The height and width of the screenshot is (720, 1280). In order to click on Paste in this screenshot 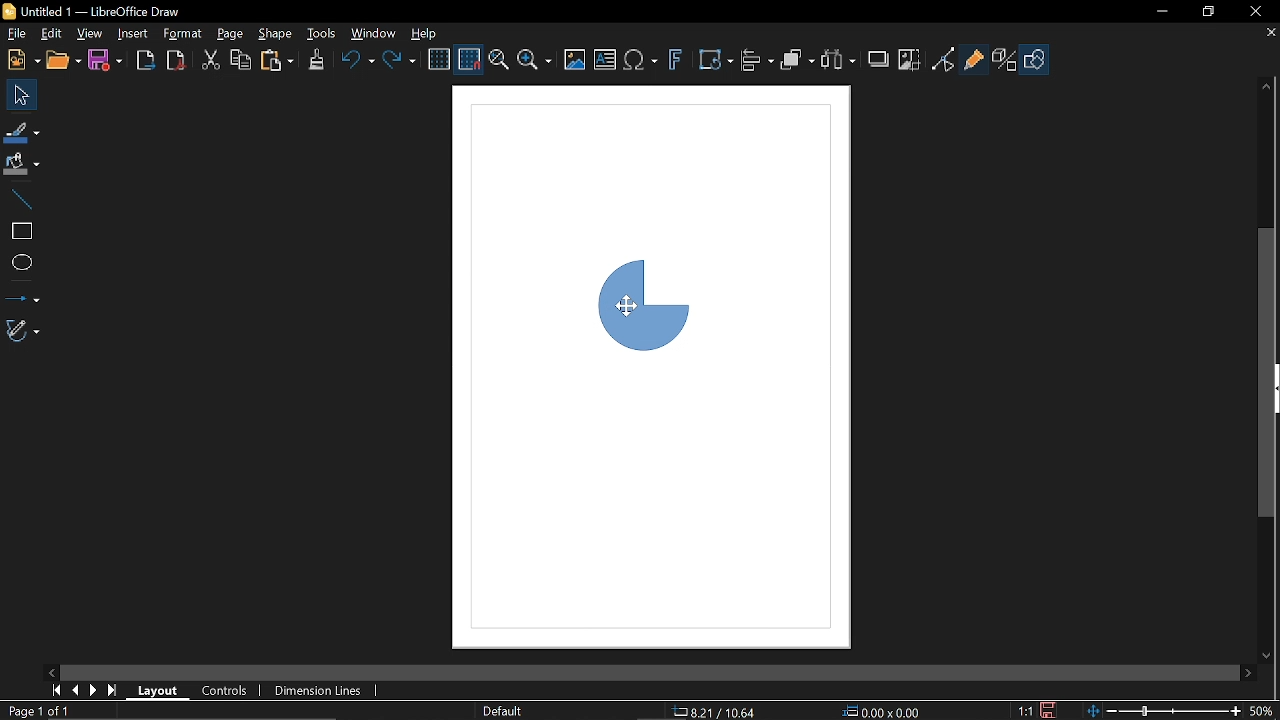, I will do `click(278, 61)`.